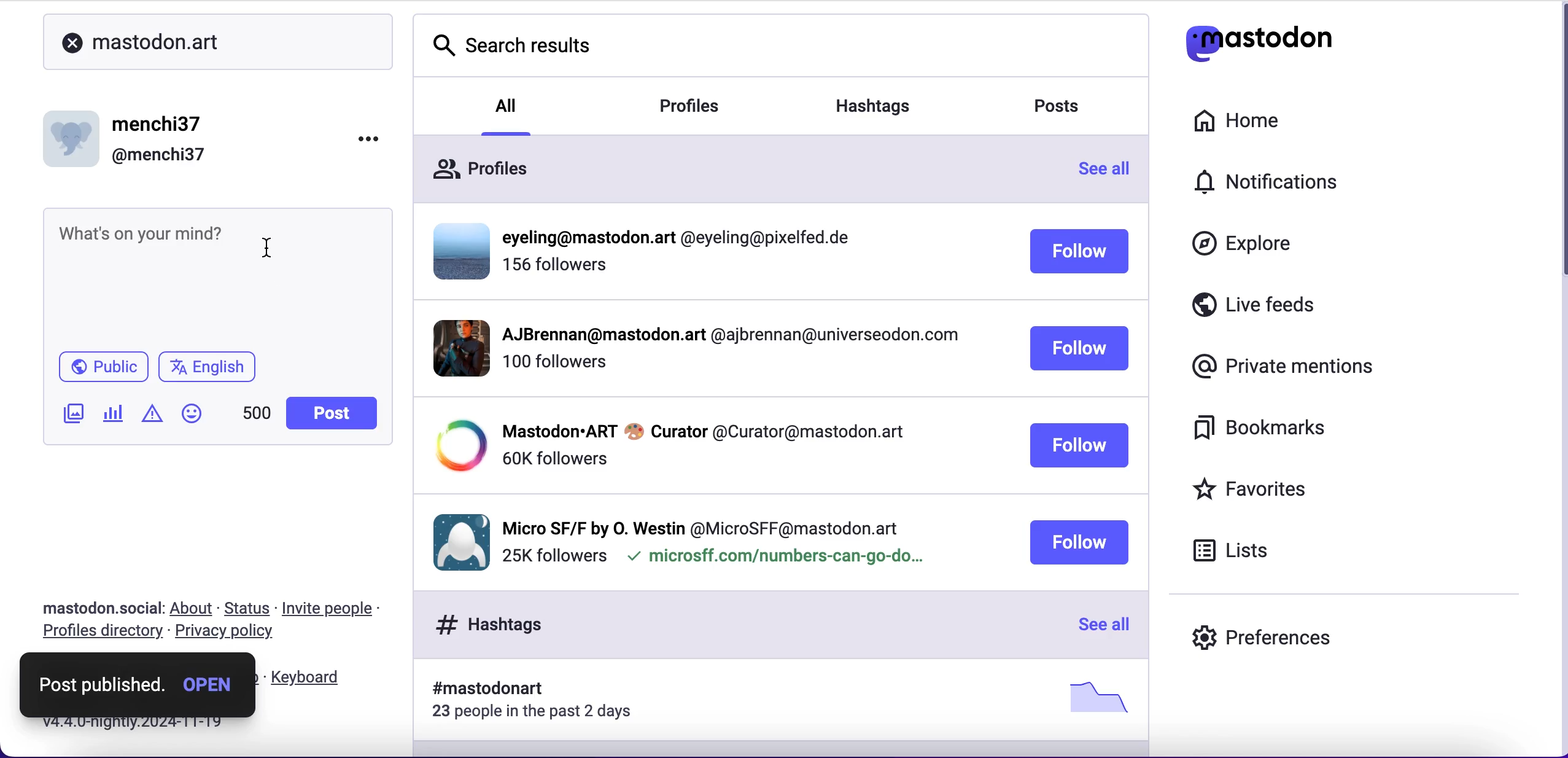 The height and width of the screenshot is (758, 1568). I want to click on keyboard, so click(308, 678).